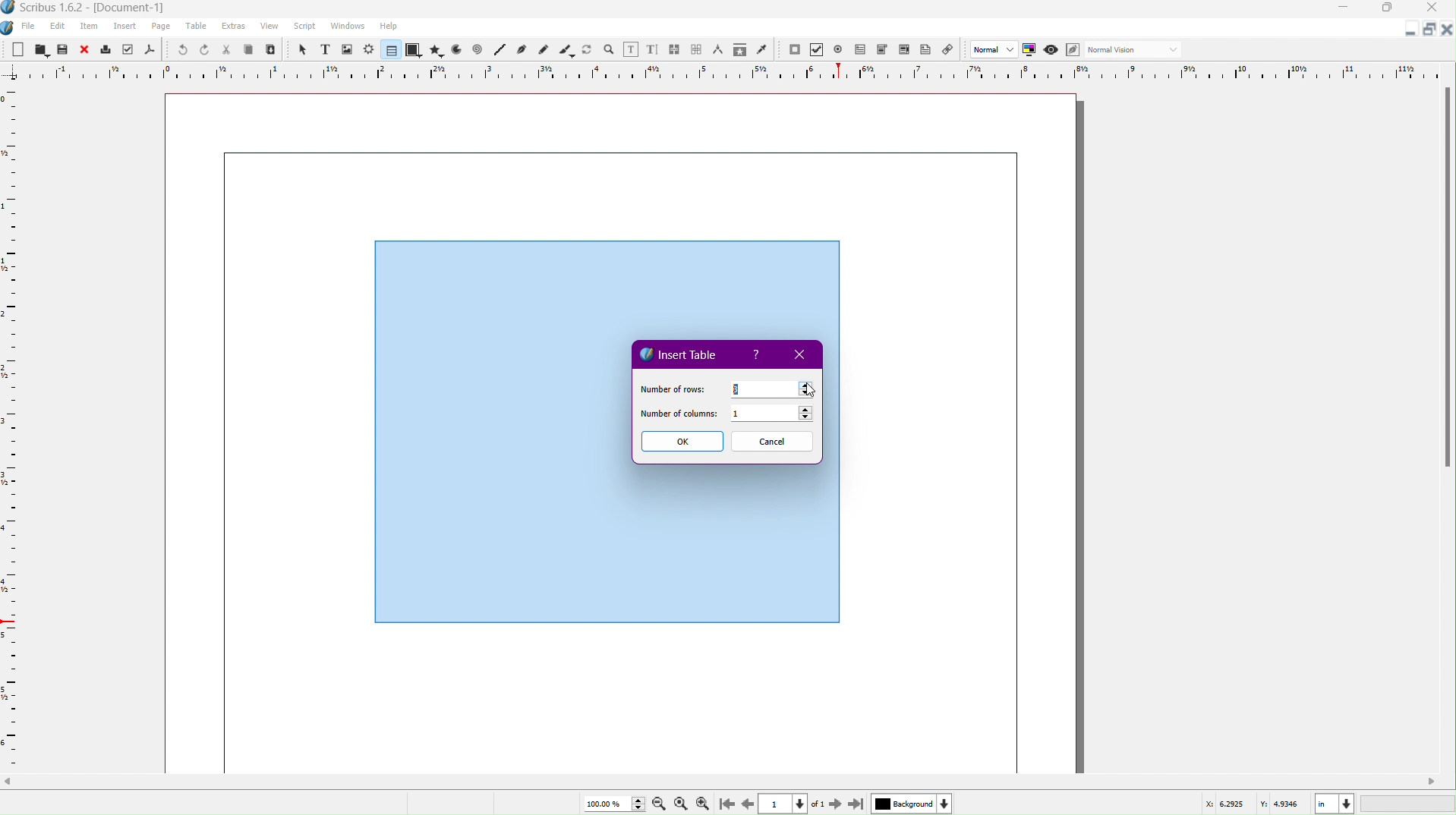  I want to click on Select Item, so click(301, 49).